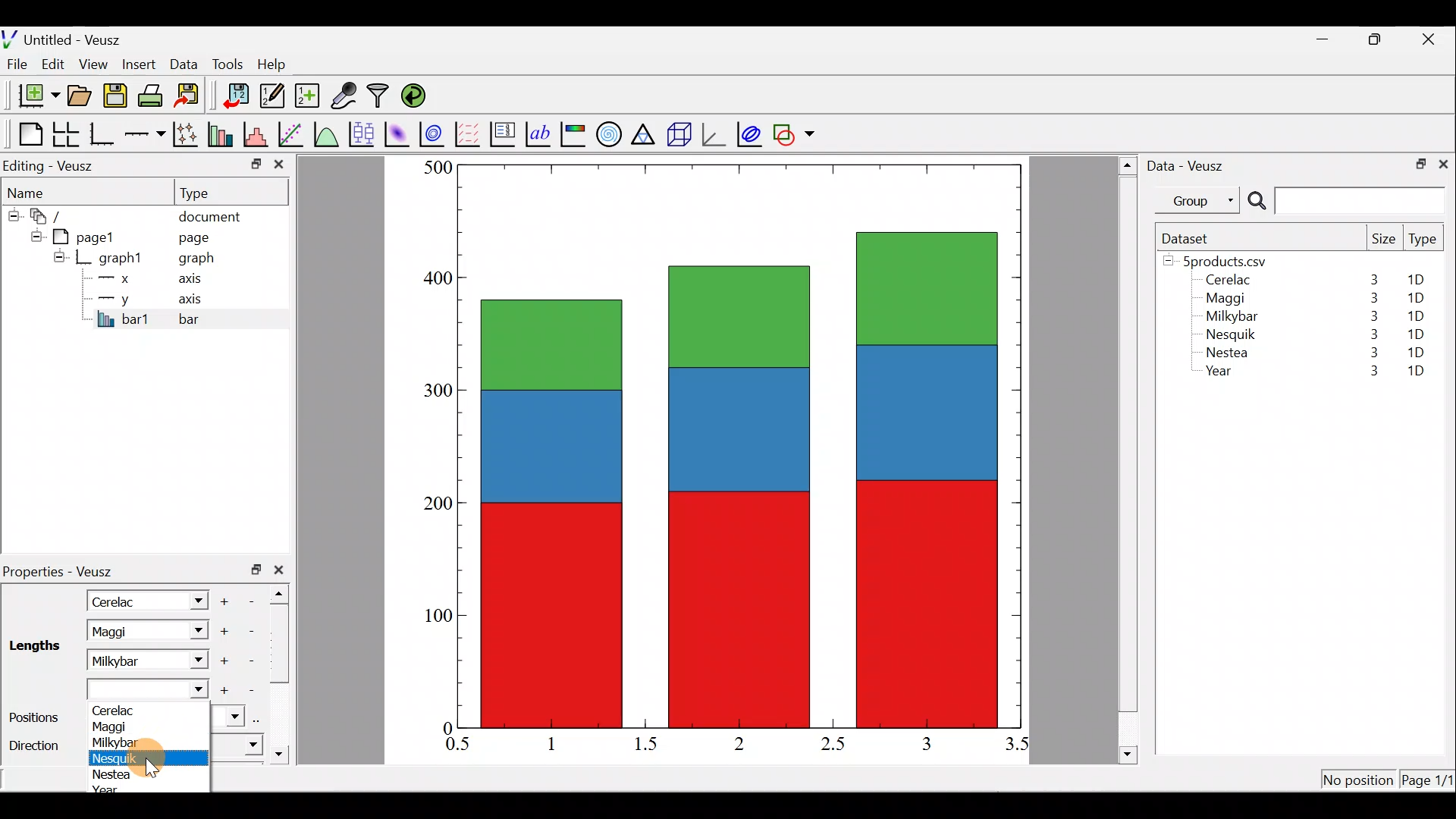 This screenshot has height=819, width=1456. Describe the element at coordinates (53, 63) in the screenshot. I see `Edit` at that location.